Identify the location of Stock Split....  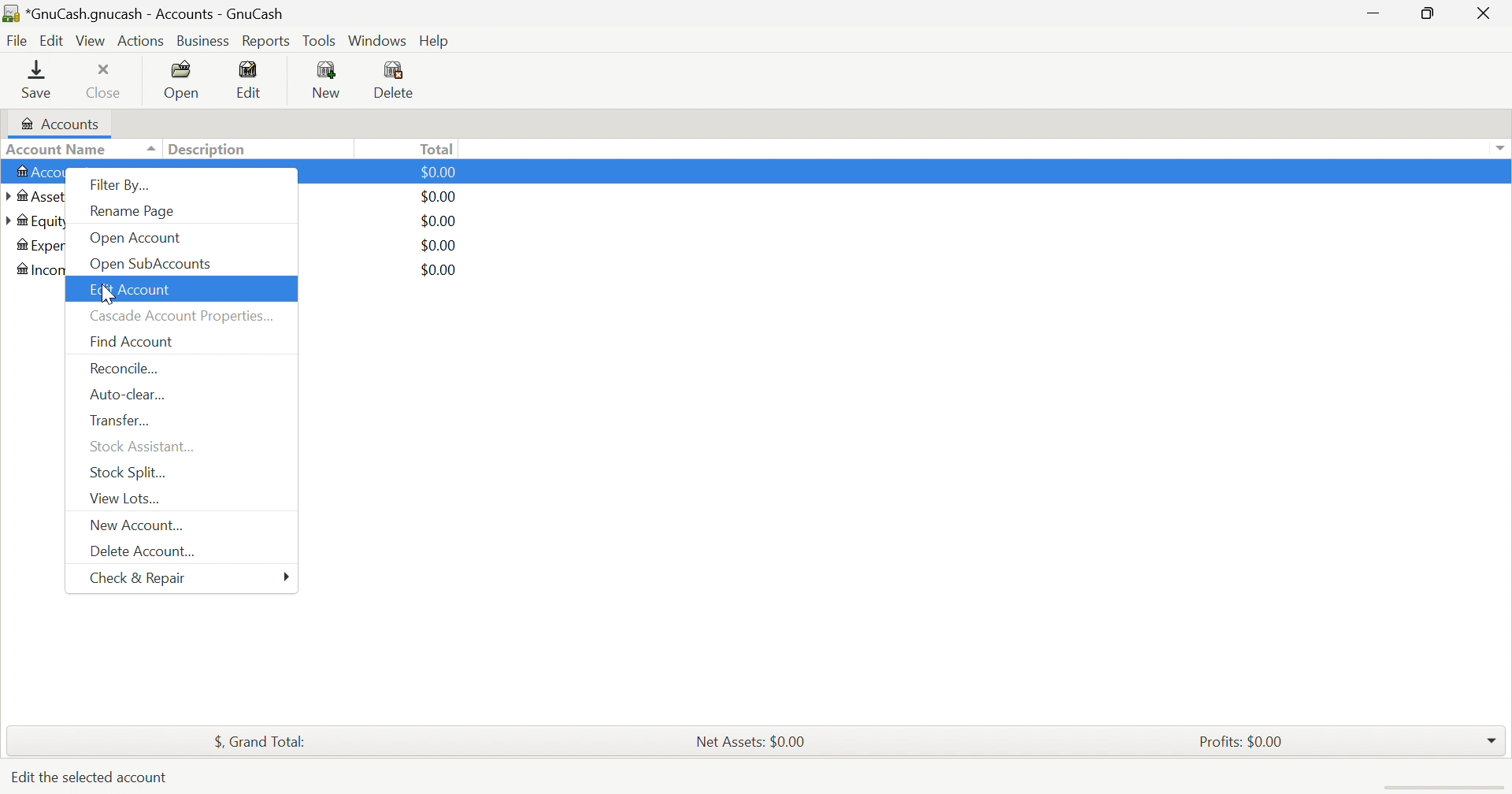
(129, 473).